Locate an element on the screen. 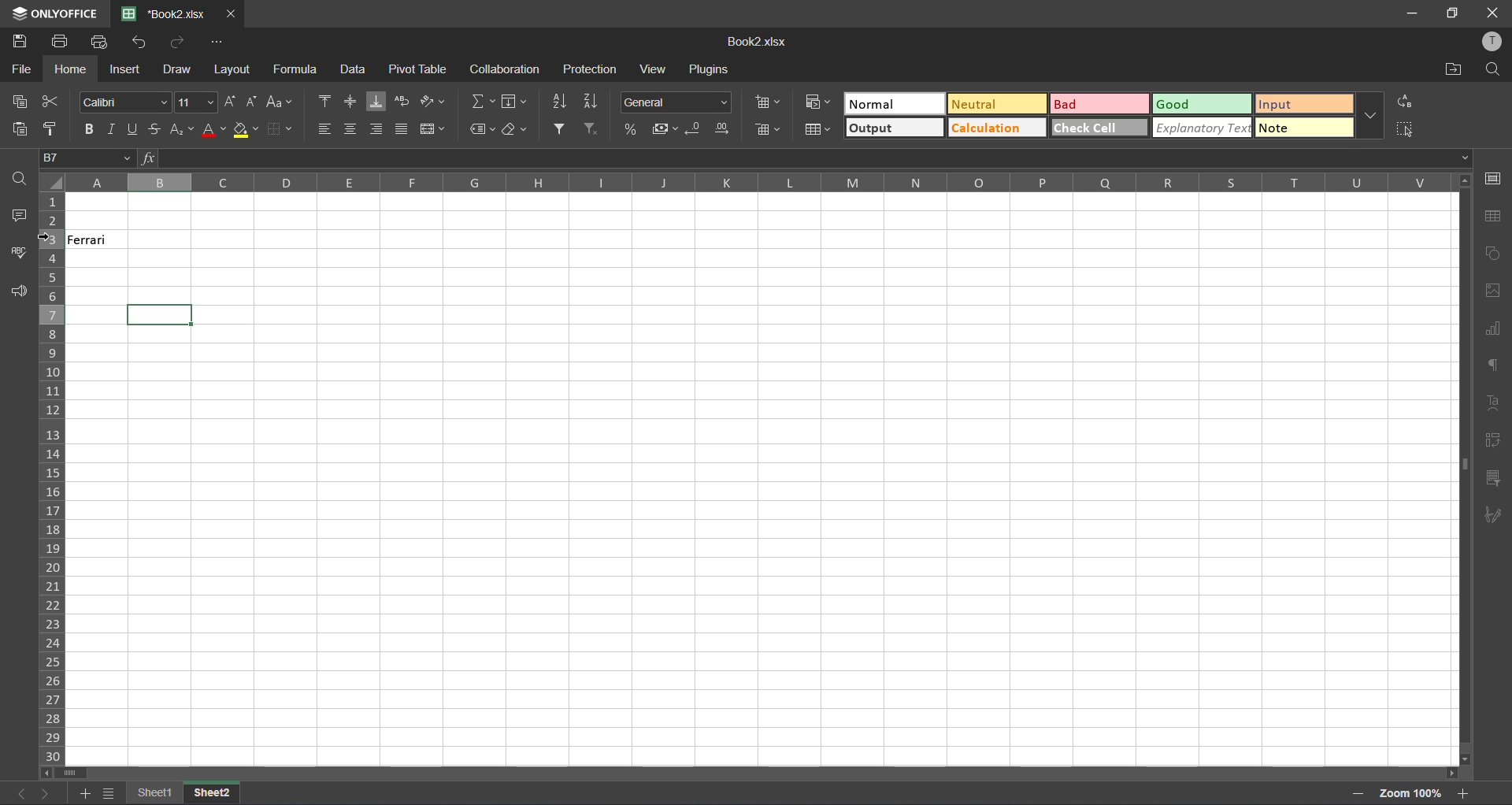 The width and height of the screenshot is (1512, 805). strikethrough is located at coordinates (155, 128).